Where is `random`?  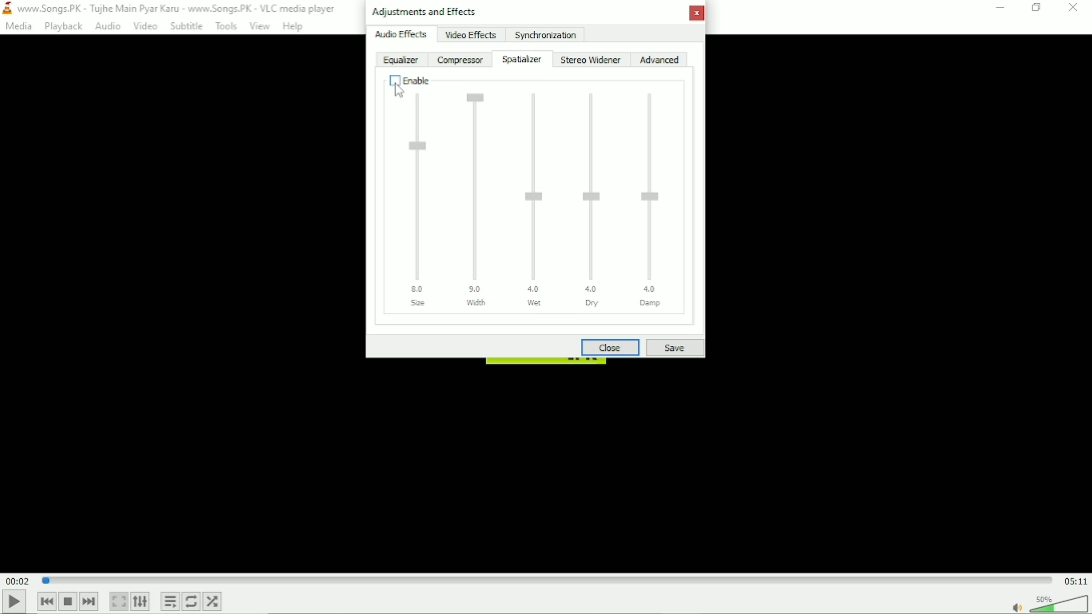
random is located at coordinates (212, 601).